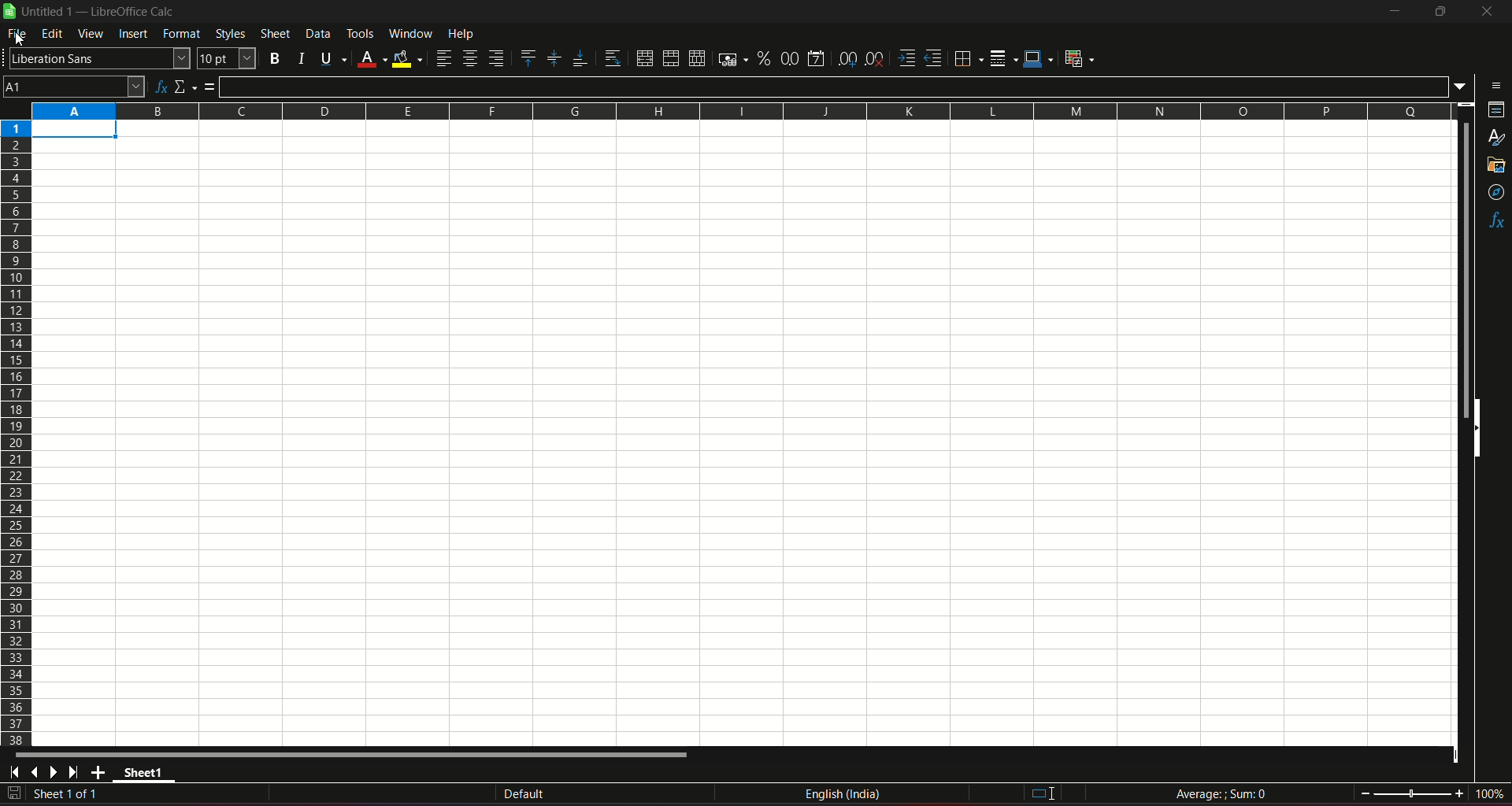 The width and height of the screenshot is (1512, 806). What do you see at coordinates (98, 772) in the screenshot?
I see `add new sheet` at bounding box center [98, 772].